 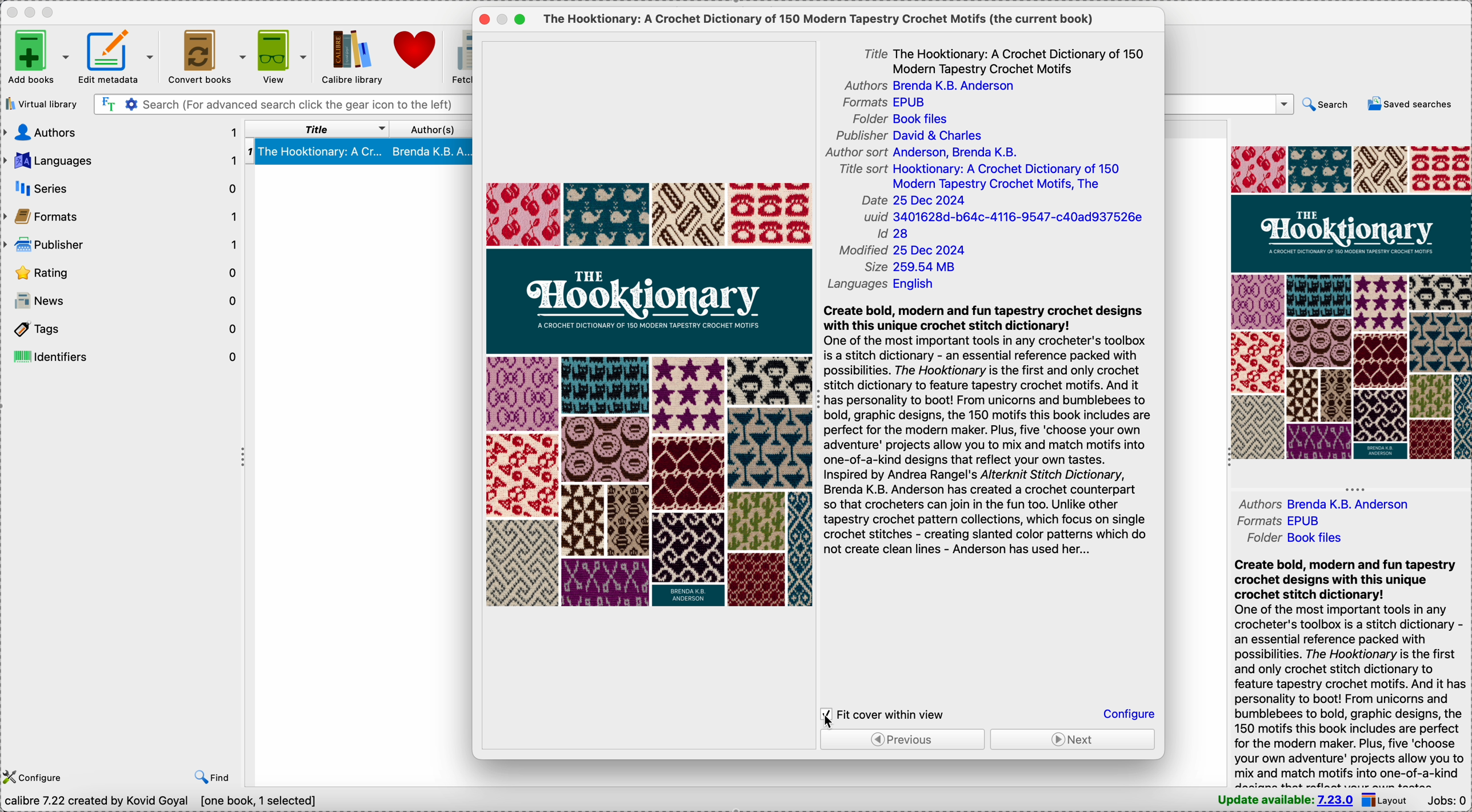 I want to click on data, so click(x=164, y=802).